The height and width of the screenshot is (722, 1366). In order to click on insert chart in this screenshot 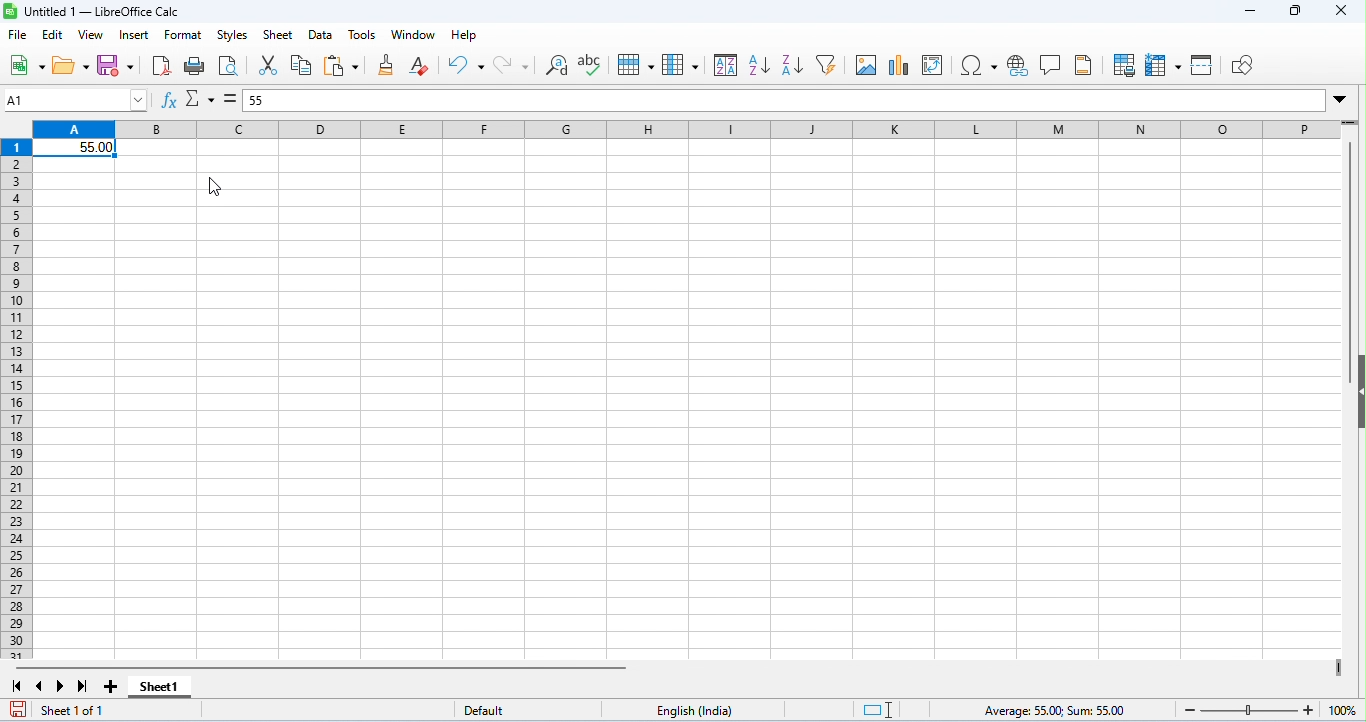, I will do `click(901, 66)`.